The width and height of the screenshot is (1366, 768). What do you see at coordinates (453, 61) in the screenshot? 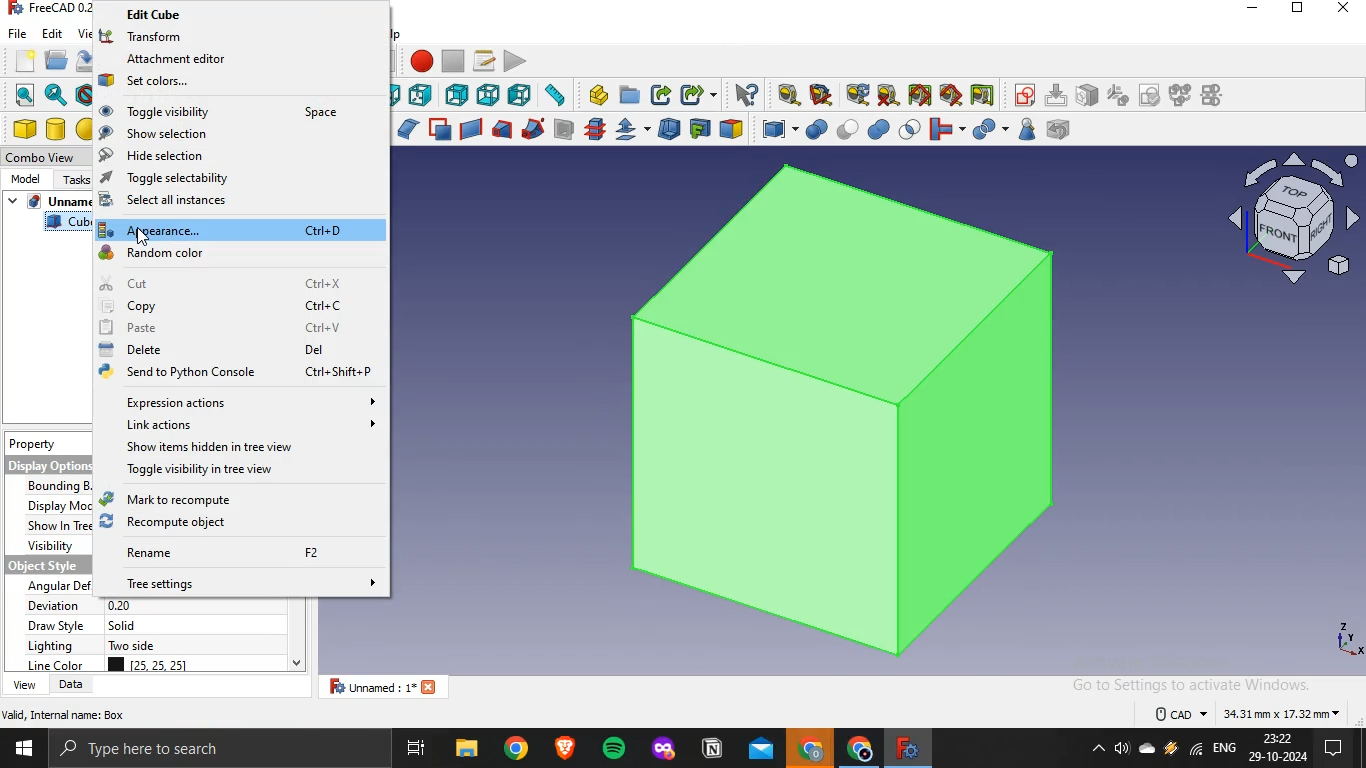
I see `stop macro recording` at bounding box center [453, 61].